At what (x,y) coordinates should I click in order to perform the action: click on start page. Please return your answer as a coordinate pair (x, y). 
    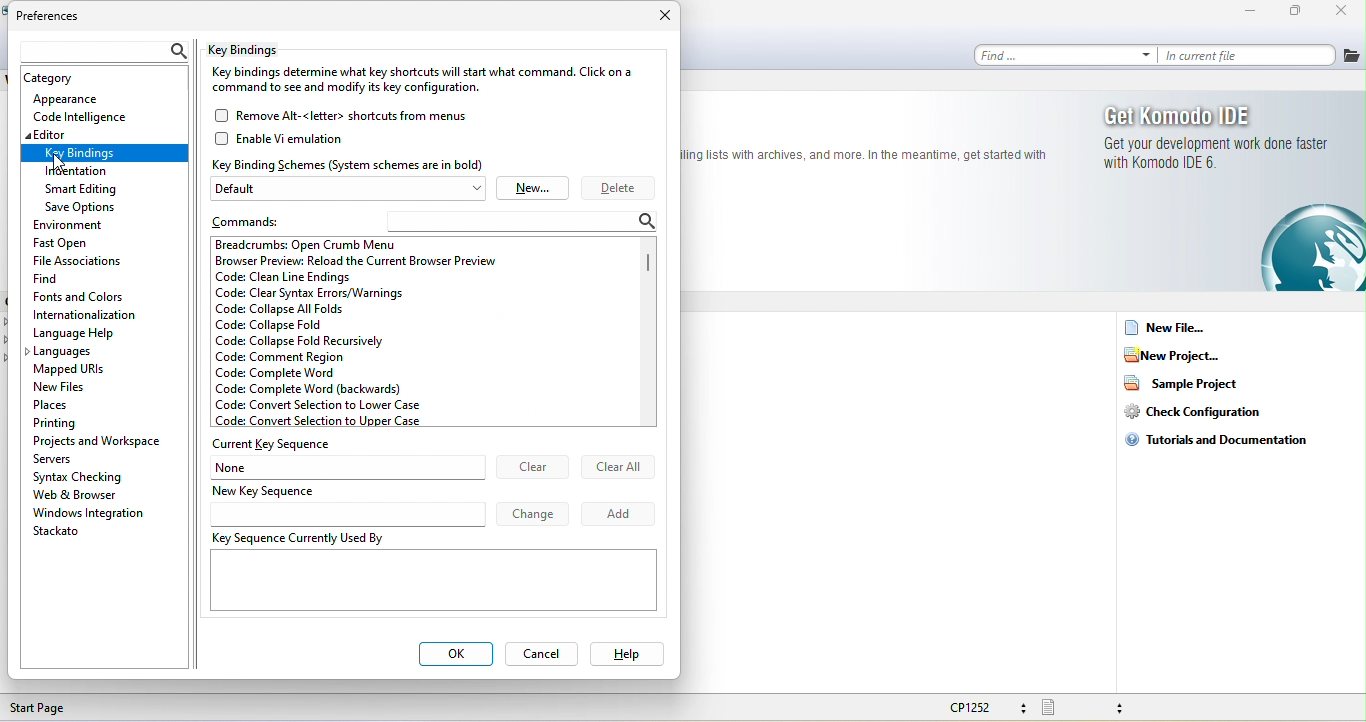
    Looking at the image, I should click on (43, 708).